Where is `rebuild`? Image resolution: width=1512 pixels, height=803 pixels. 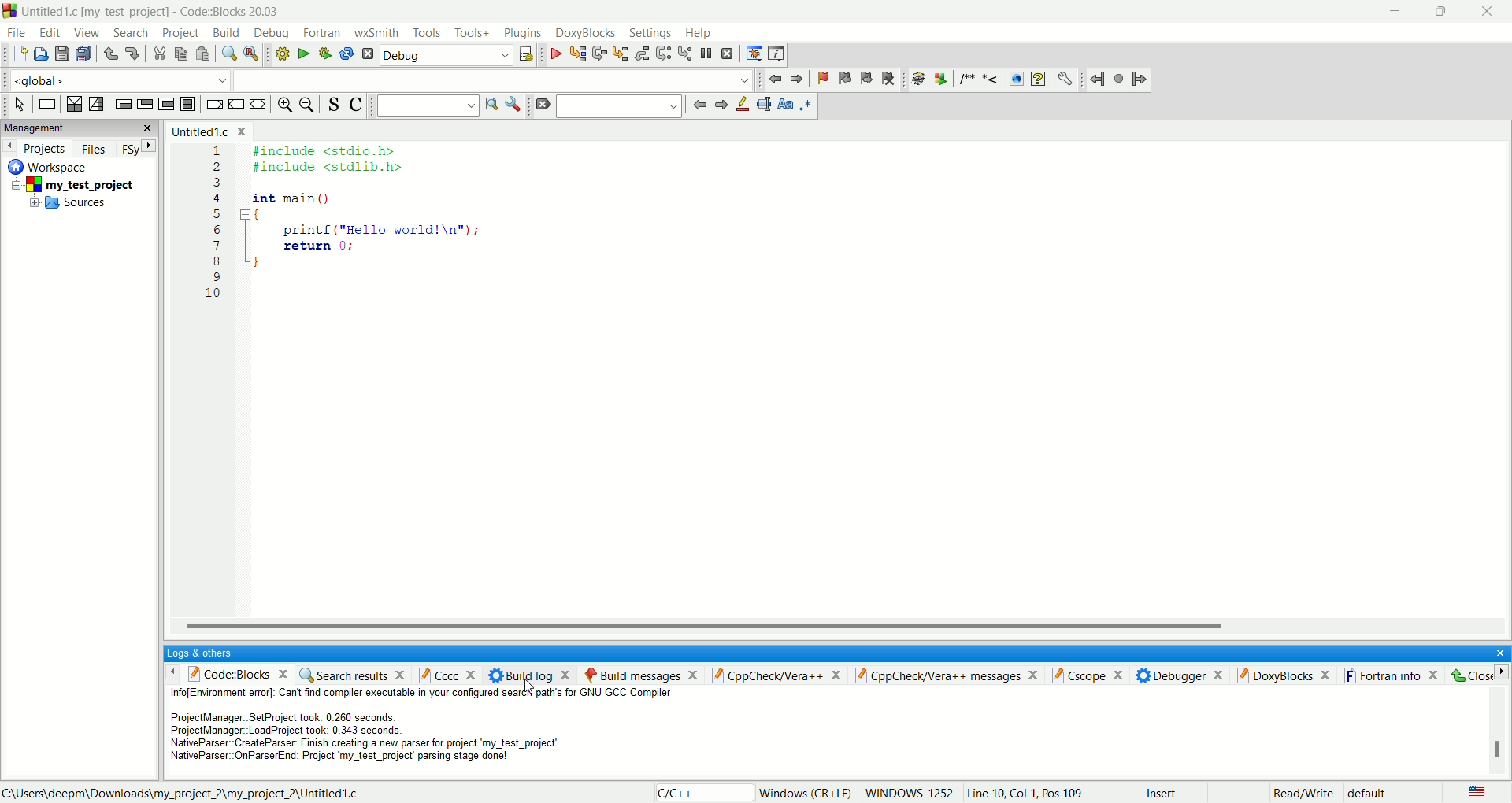 rebuild is located at coordinates (346, 54).